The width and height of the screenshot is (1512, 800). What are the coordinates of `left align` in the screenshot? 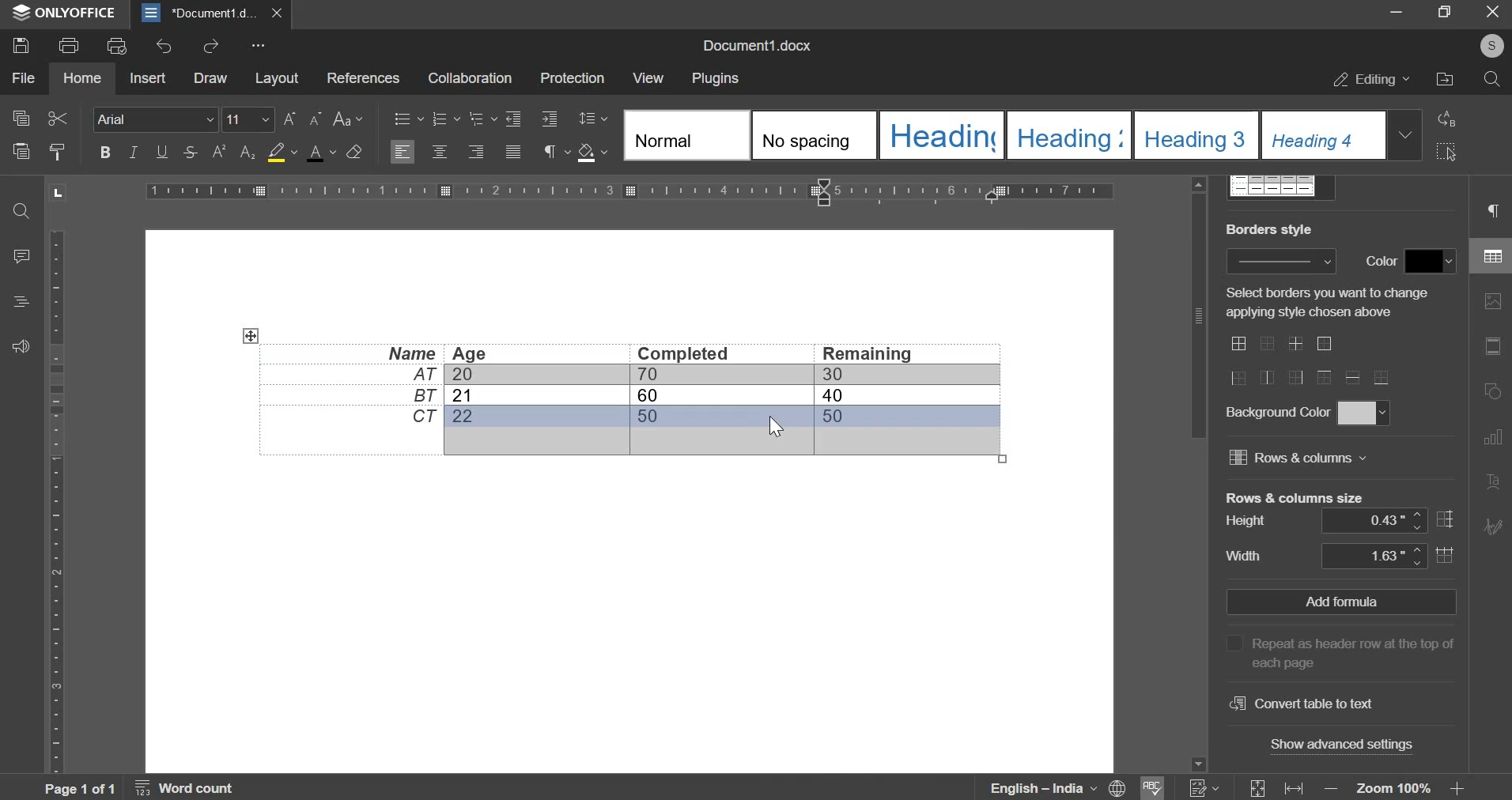 It's located at (402, 153).